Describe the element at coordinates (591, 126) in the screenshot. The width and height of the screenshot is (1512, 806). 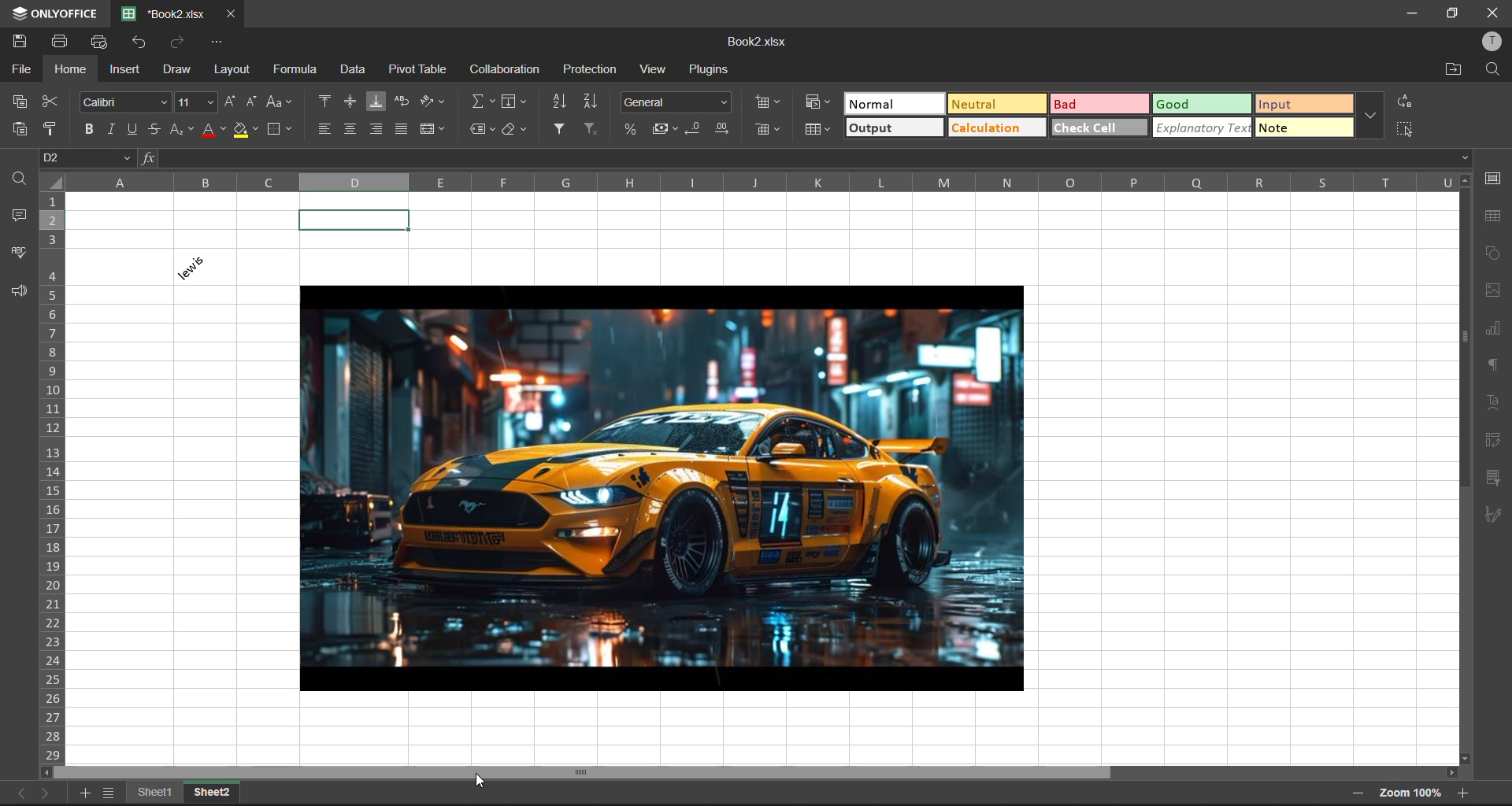
I see `clear filter` at that location.